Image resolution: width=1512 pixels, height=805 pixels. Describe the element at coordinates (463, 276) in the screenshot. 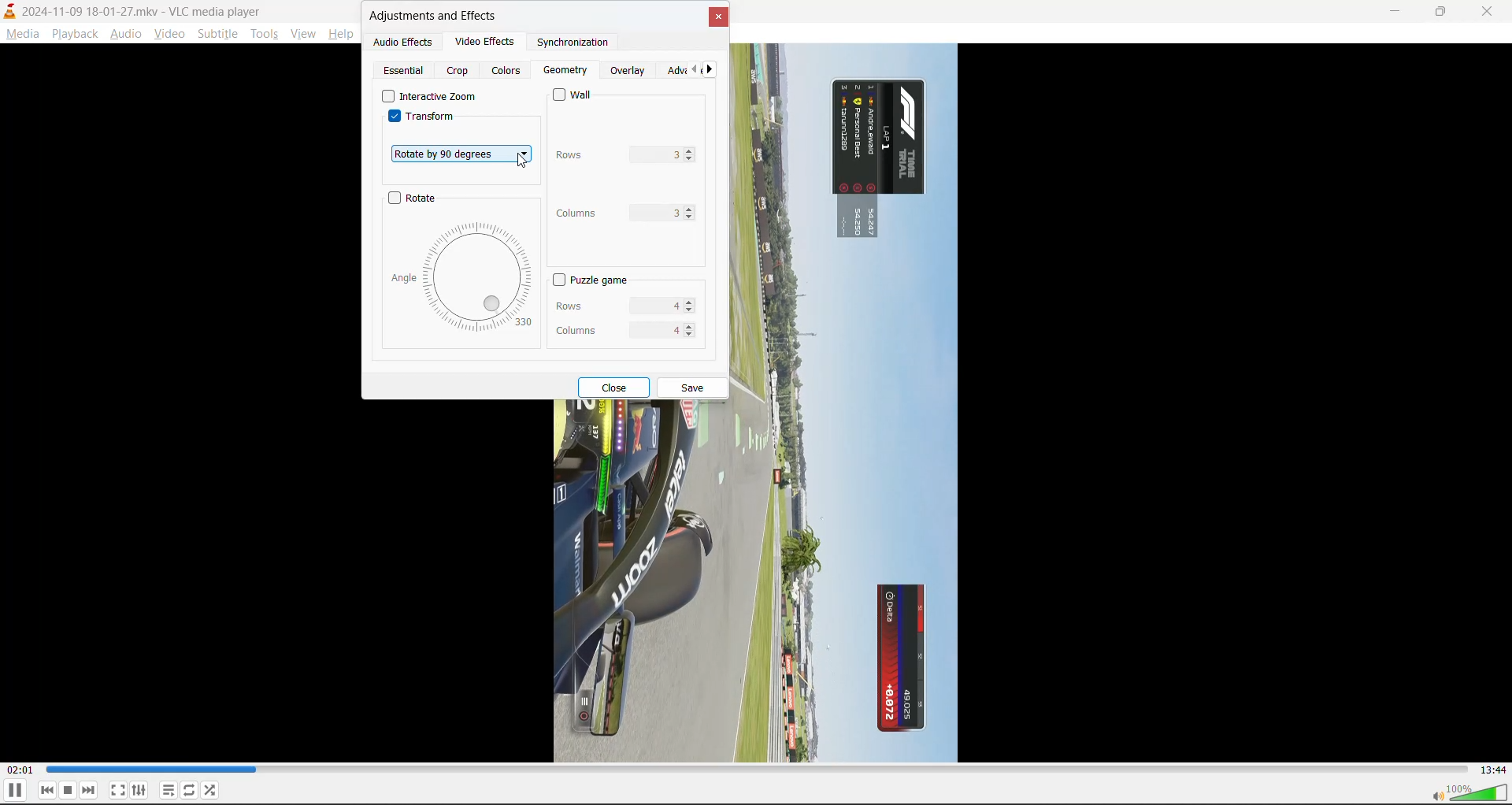

I see `rotation dial` at that location.